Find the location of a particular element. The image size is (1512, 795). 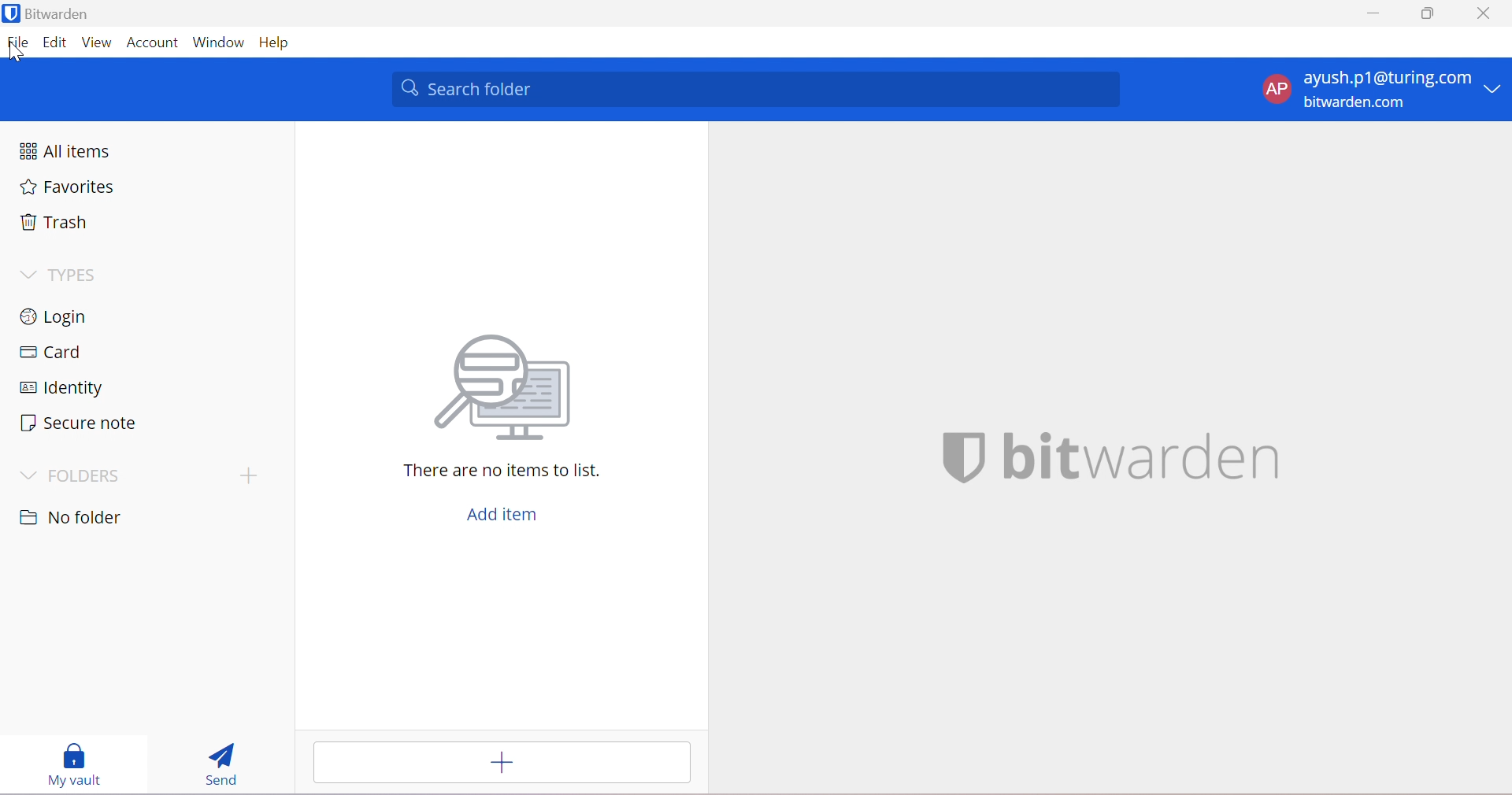

My vault is located at coordinates (78, 765).